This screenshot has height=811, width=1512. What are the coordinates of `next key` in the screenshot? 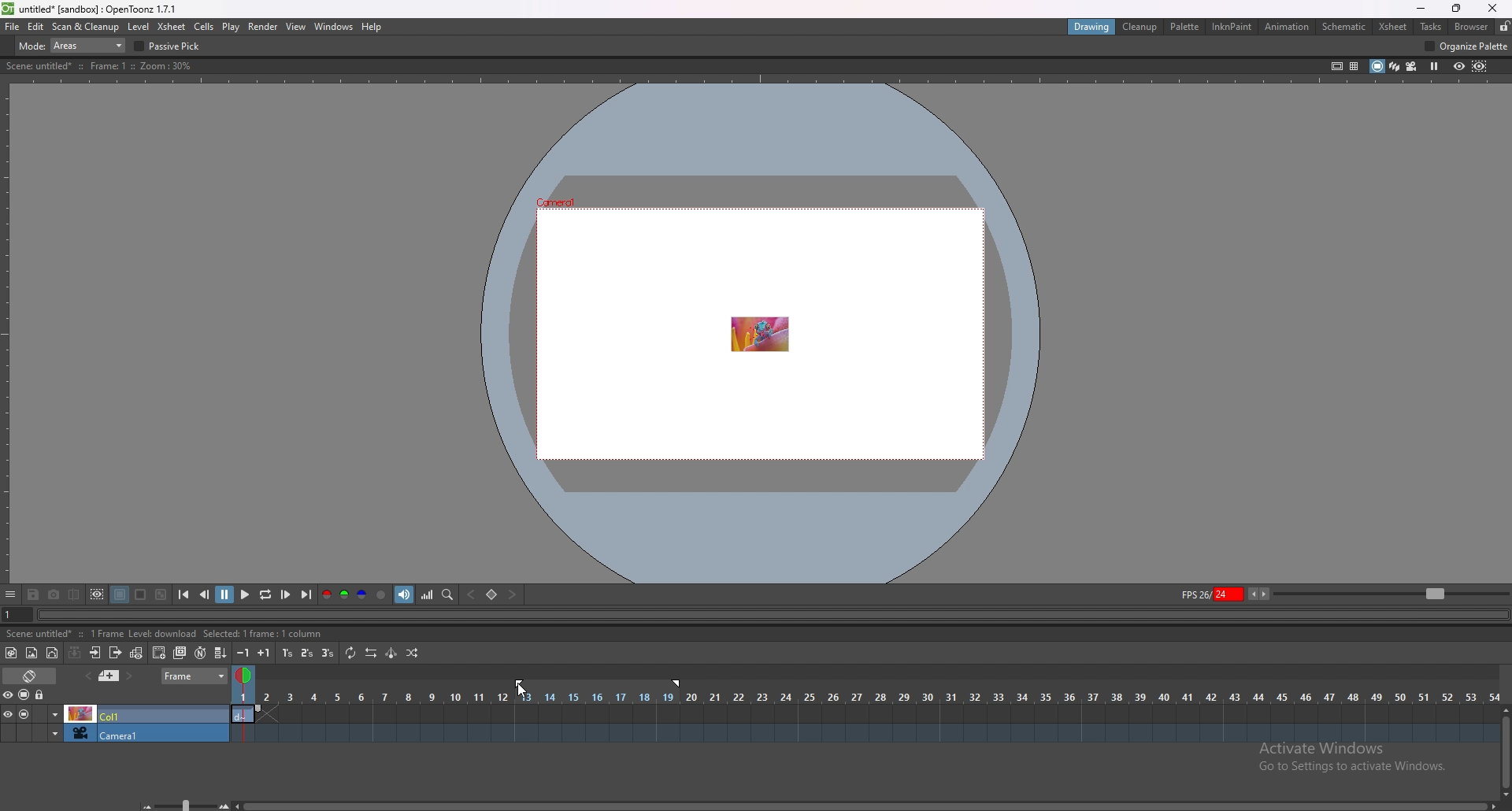 It's located at (511, 594).